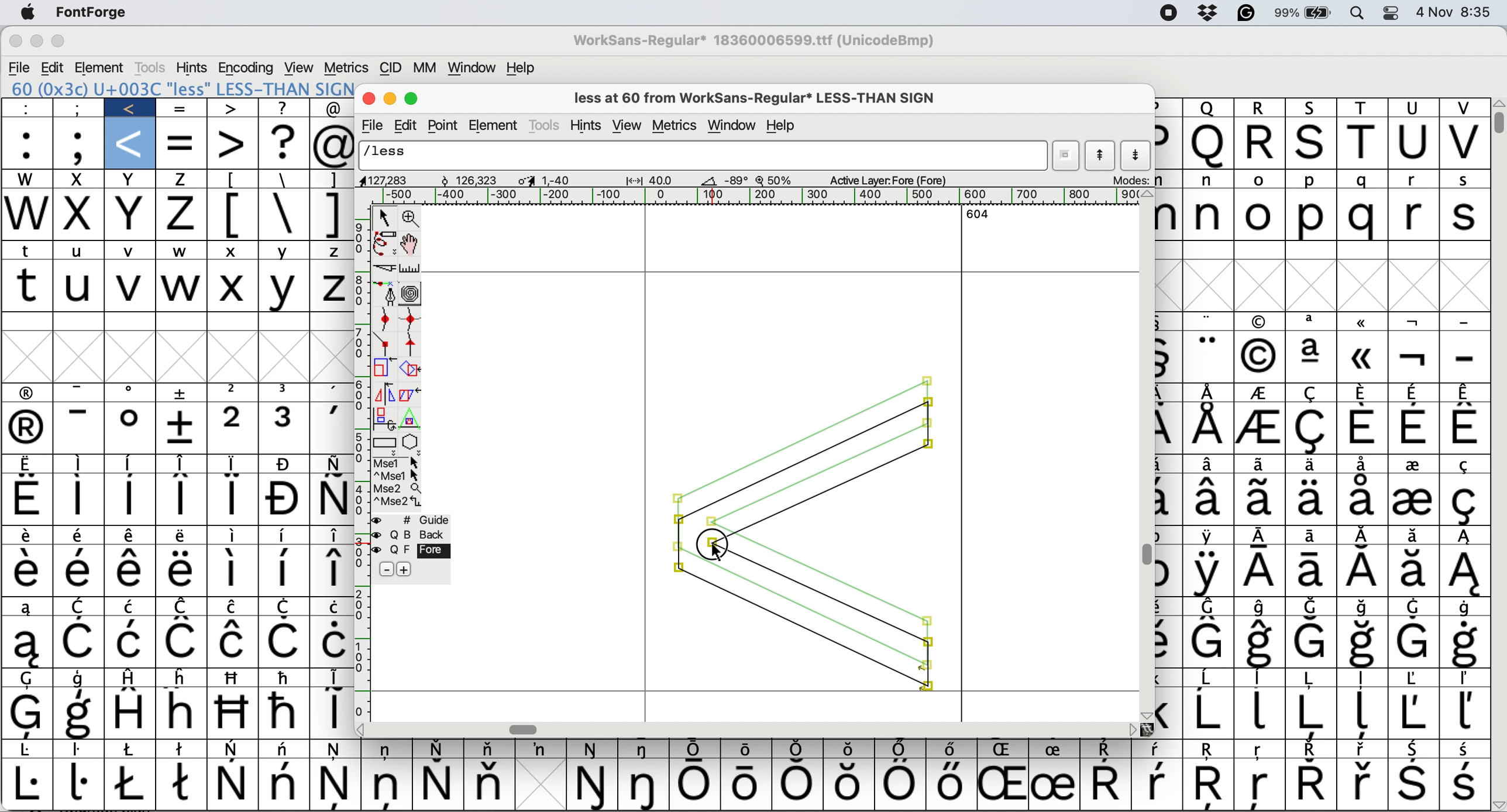 The image size is (1507, 812). What do you see at coordinates (1498, 120) in the screenshot?
I see `vertical scroll bar` at bounding box center [1498, 120].